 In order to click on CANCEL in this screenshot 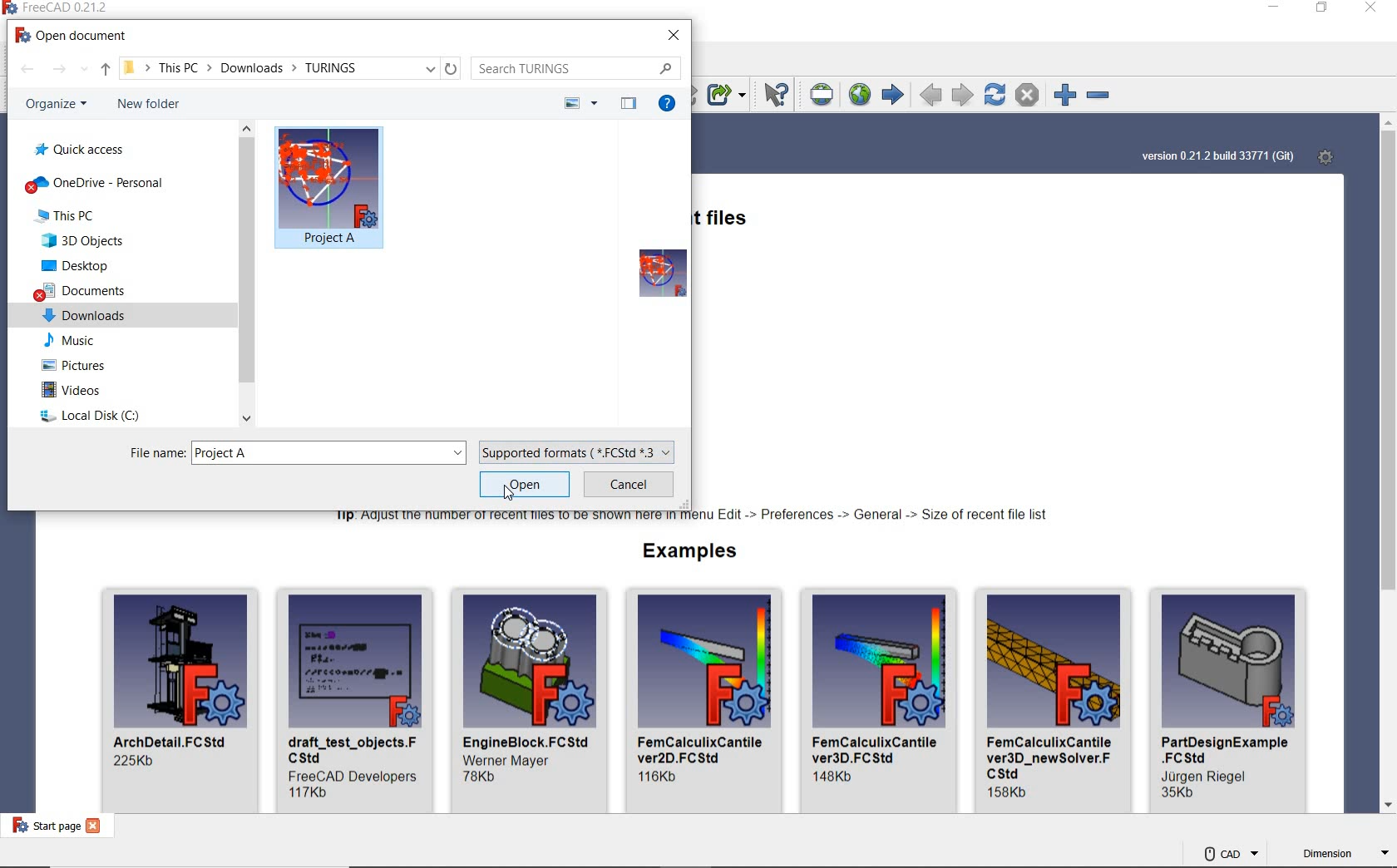, I will do `click(630, 485)`.